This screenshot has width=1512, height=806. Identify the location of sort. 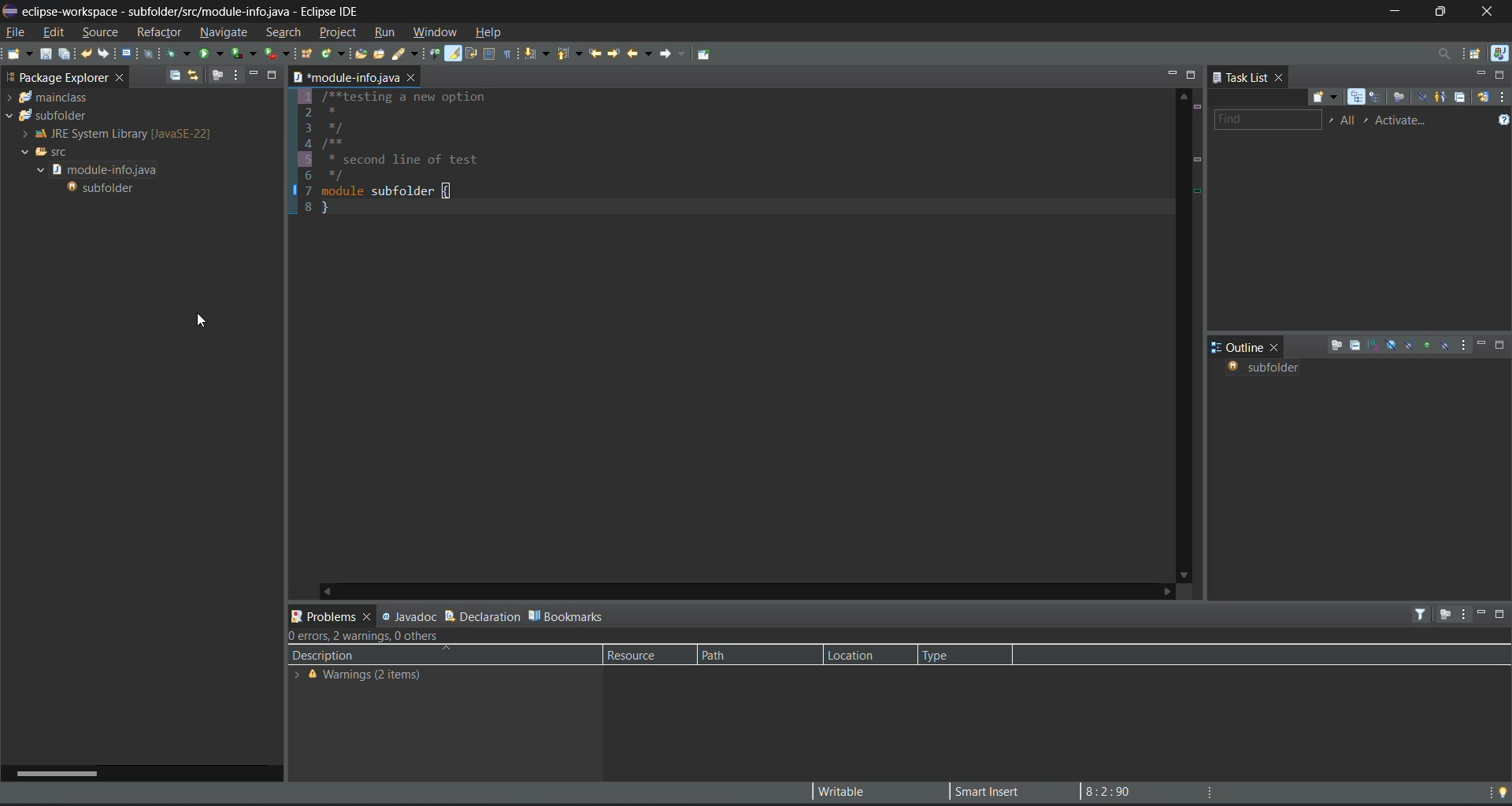
(1374, 345).